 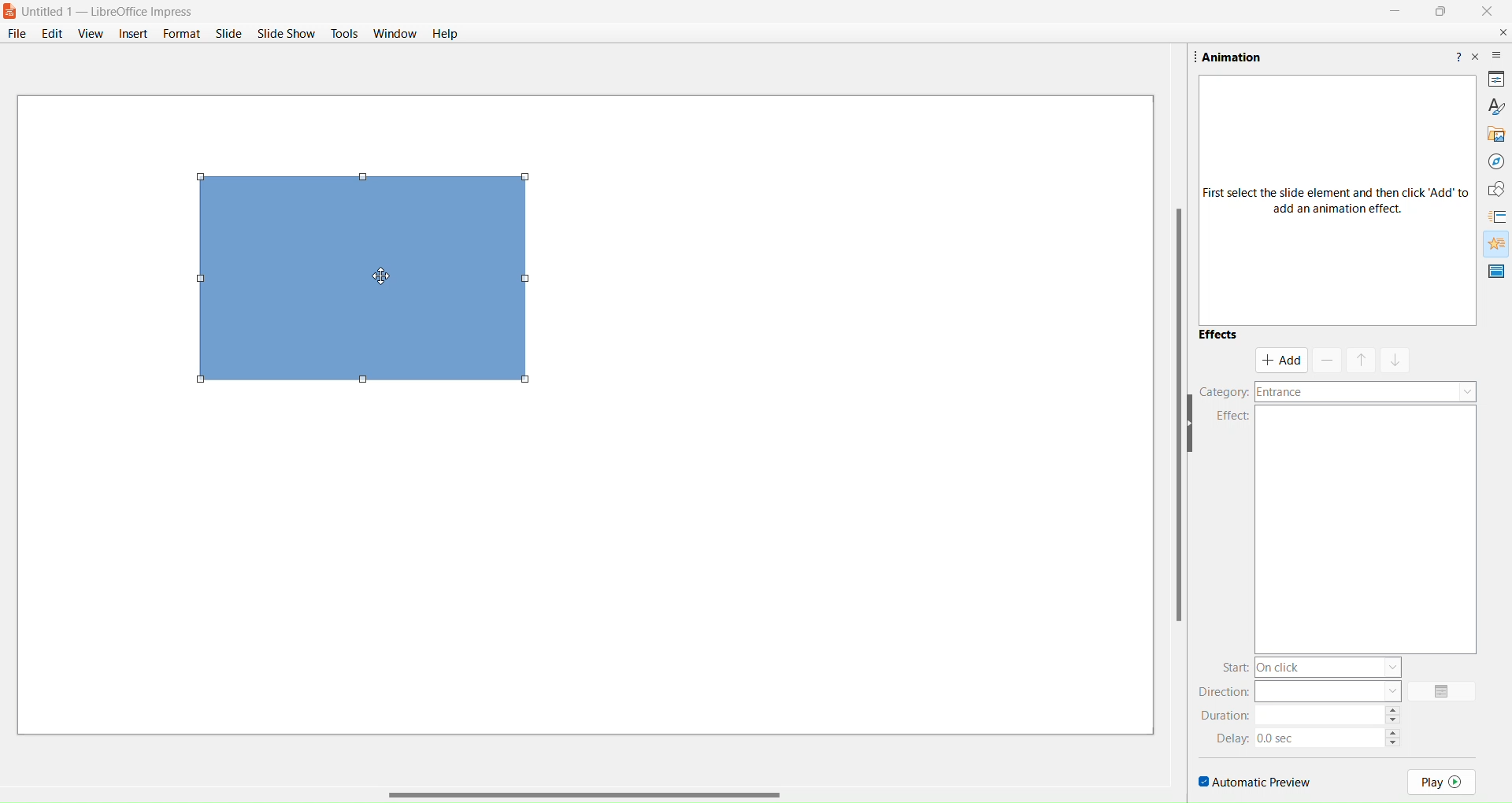 What do you see at coordinates (1395, 735) in the screenshot?
I see `increase/decrease` at bounding box center [1395, 735].